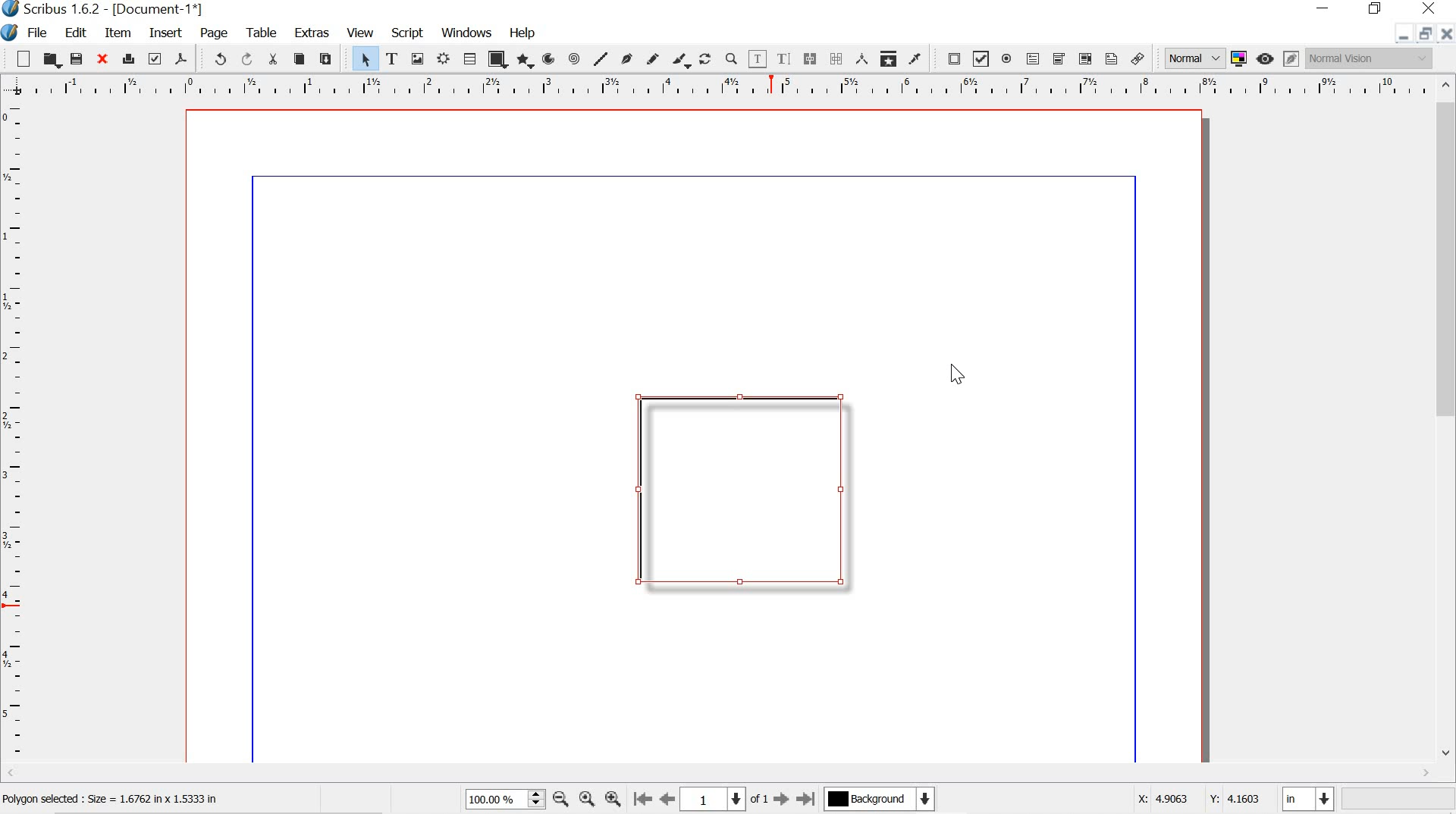 The image size is (1456, 814). Describe the element at coordinates (654, 59) in the screenshot. I see `freehand line` at that location.